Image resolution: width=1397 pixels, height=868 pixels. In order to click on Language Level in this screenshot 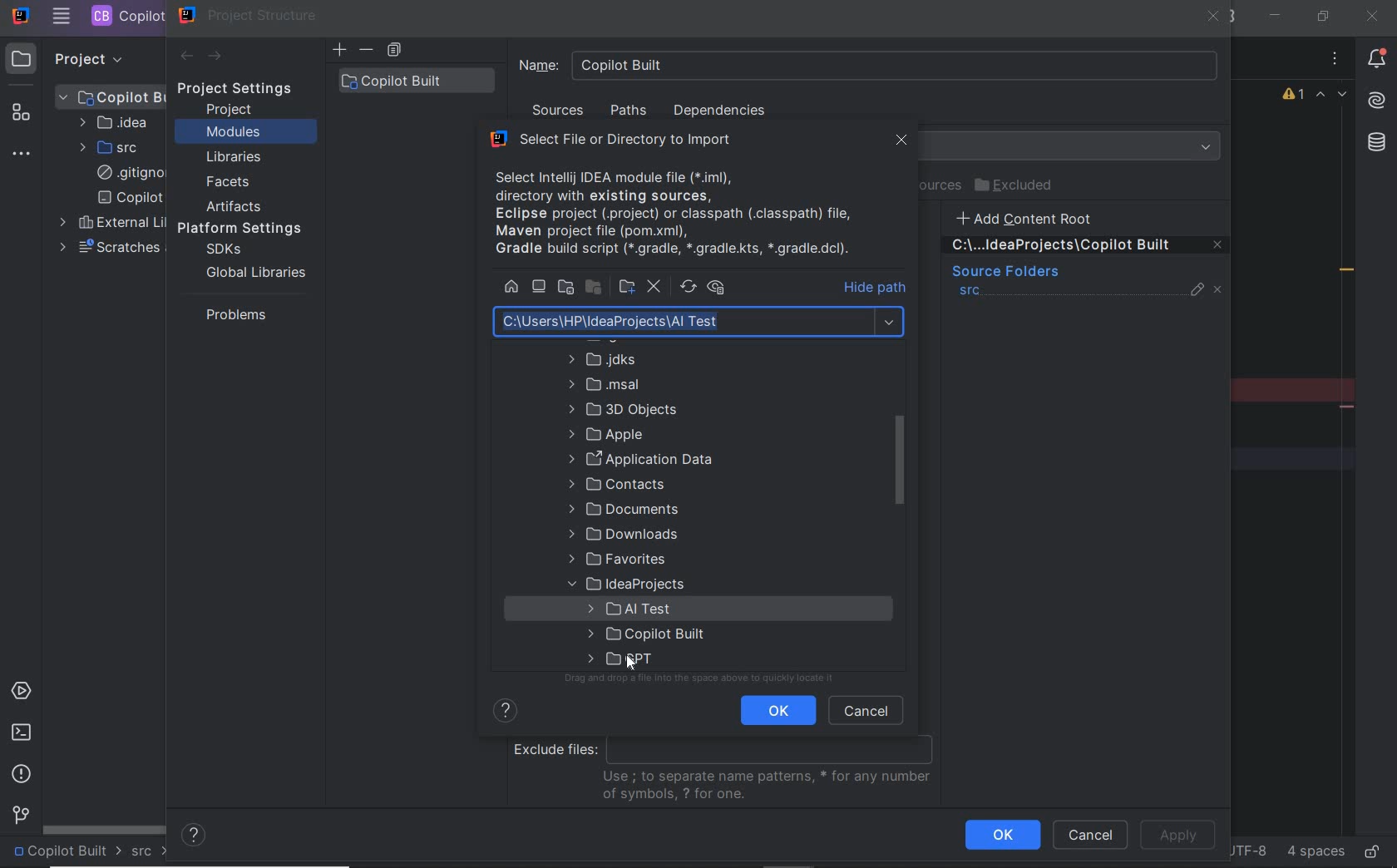, I will do `click(1073, 146)`.